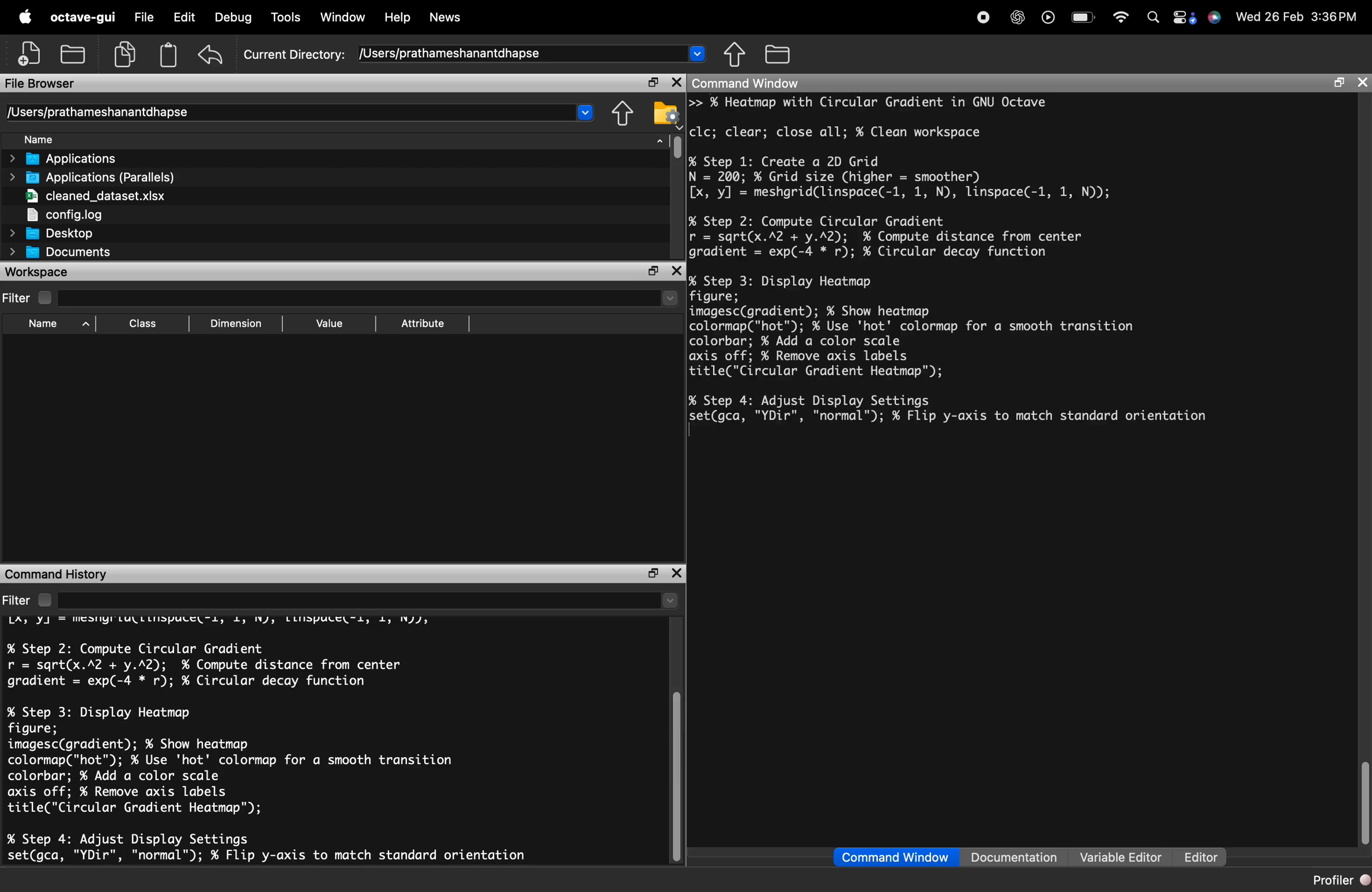  I want to click on Command History, so click(315, 573).